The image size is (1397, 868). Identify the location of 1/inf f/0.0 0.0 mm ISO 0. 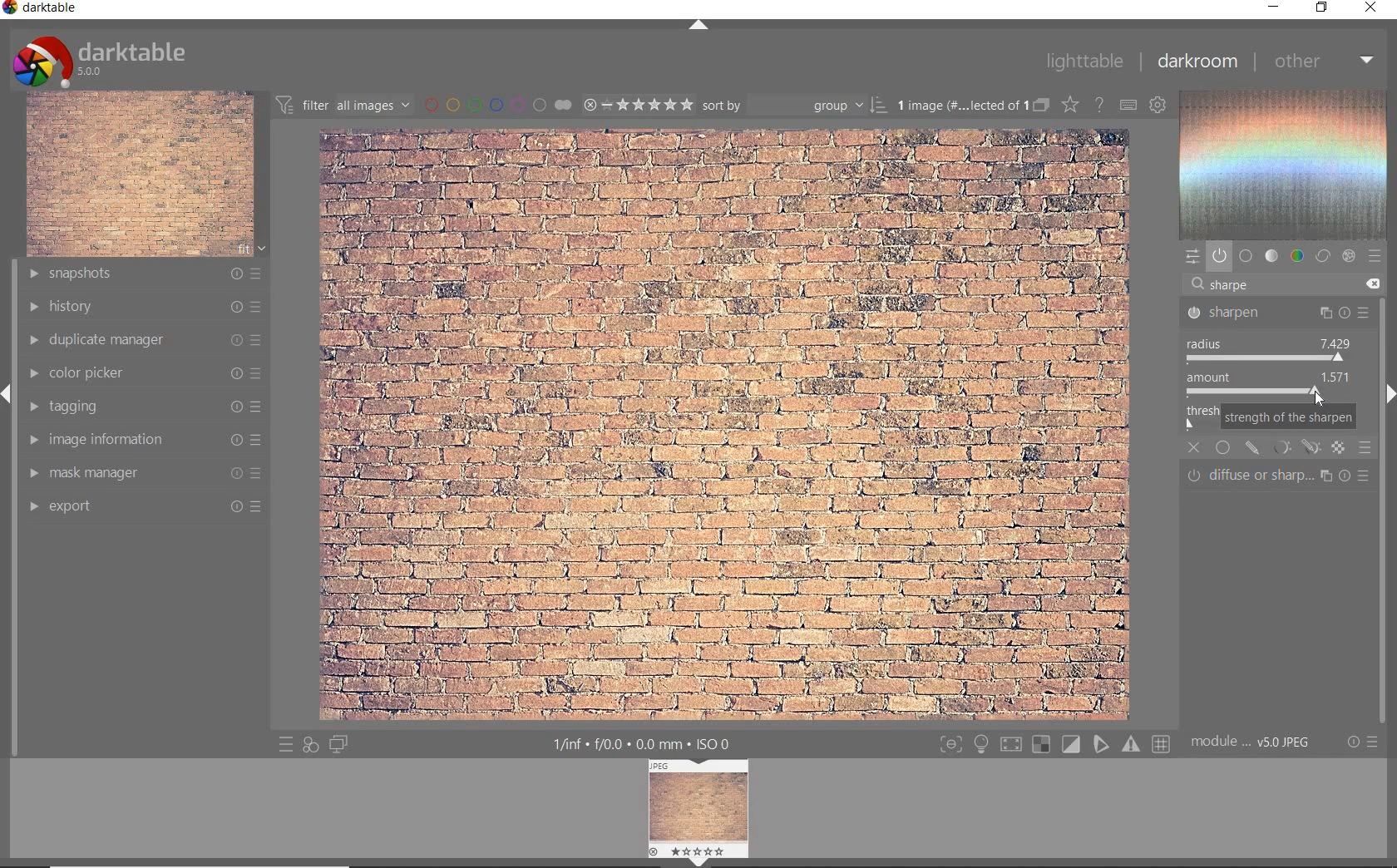
(642, 743).